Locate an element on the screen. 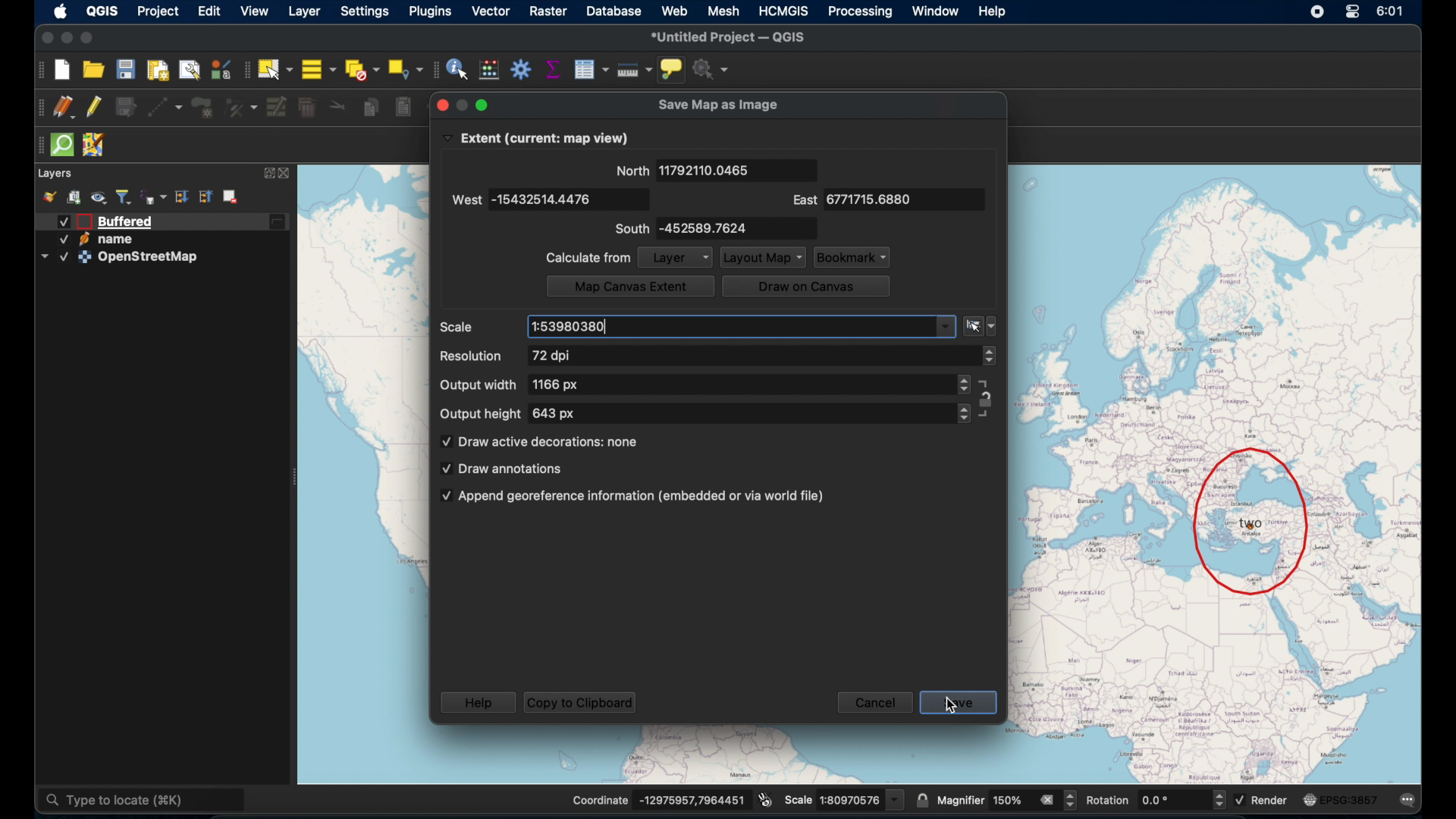 This screenshot has height=819, width=1456. raster is located at coordinates (549, 11).